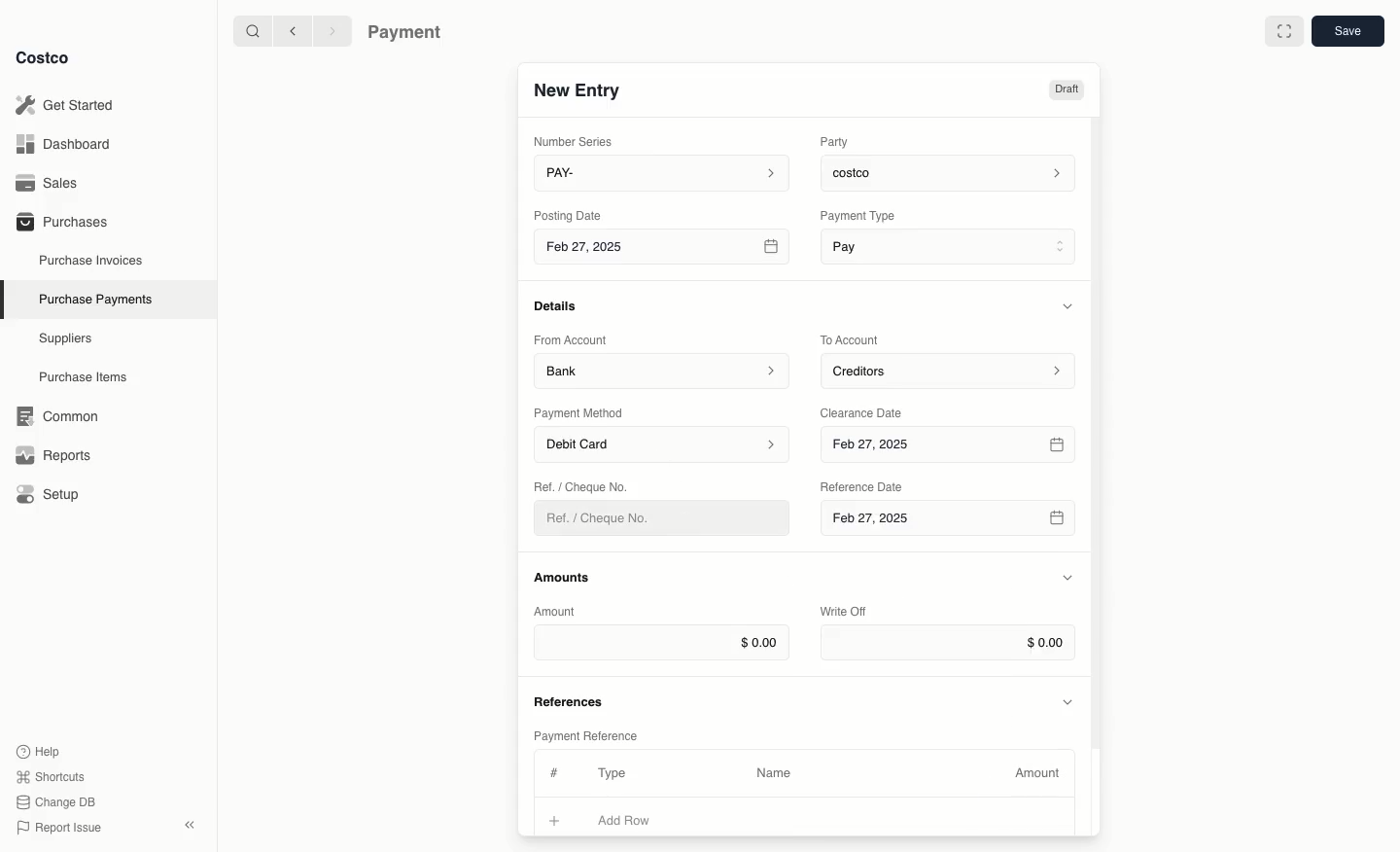 This screenshot has height=852, width=1400. Describe the element at coordinates (953, 170) in the screenshot. I see `costco` at that location.